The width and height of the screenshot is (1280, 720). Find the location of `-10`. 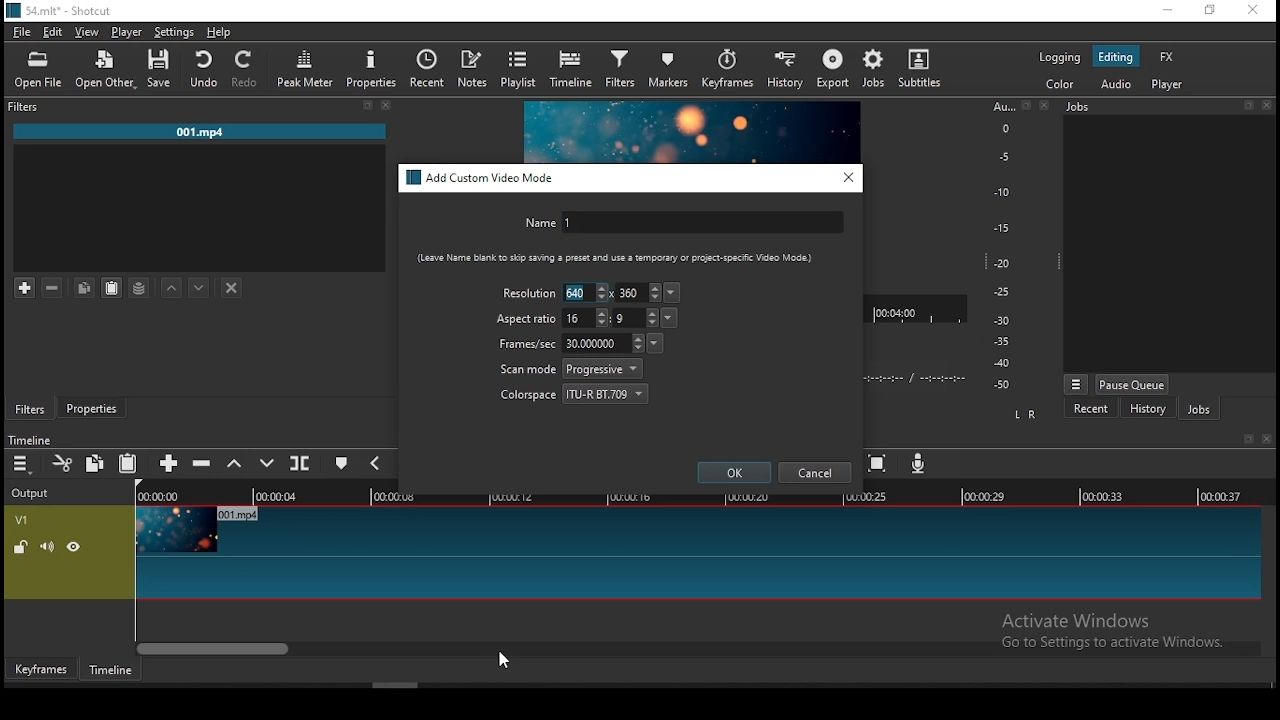

-10 is located at coordinates (1000, 192).